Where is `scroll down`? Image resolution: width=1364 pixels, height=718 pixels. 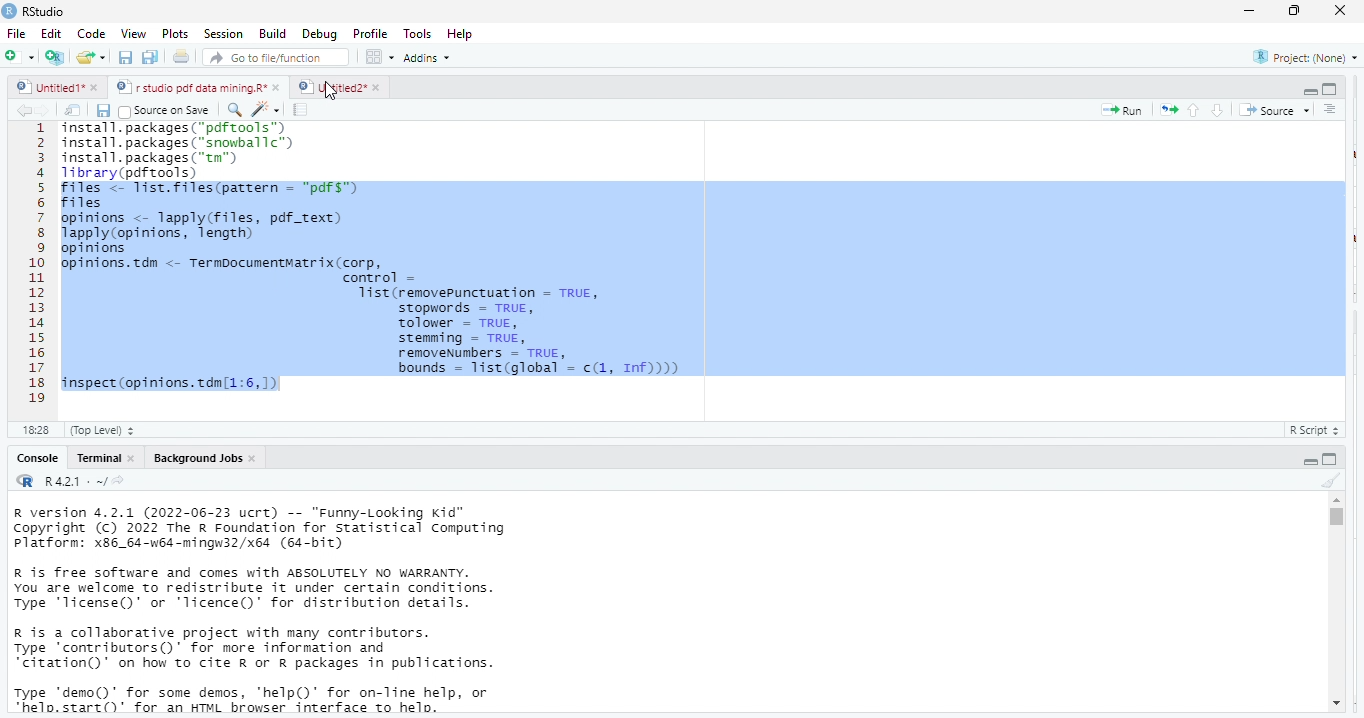 scroll down is located at coordinates (1335, 705).